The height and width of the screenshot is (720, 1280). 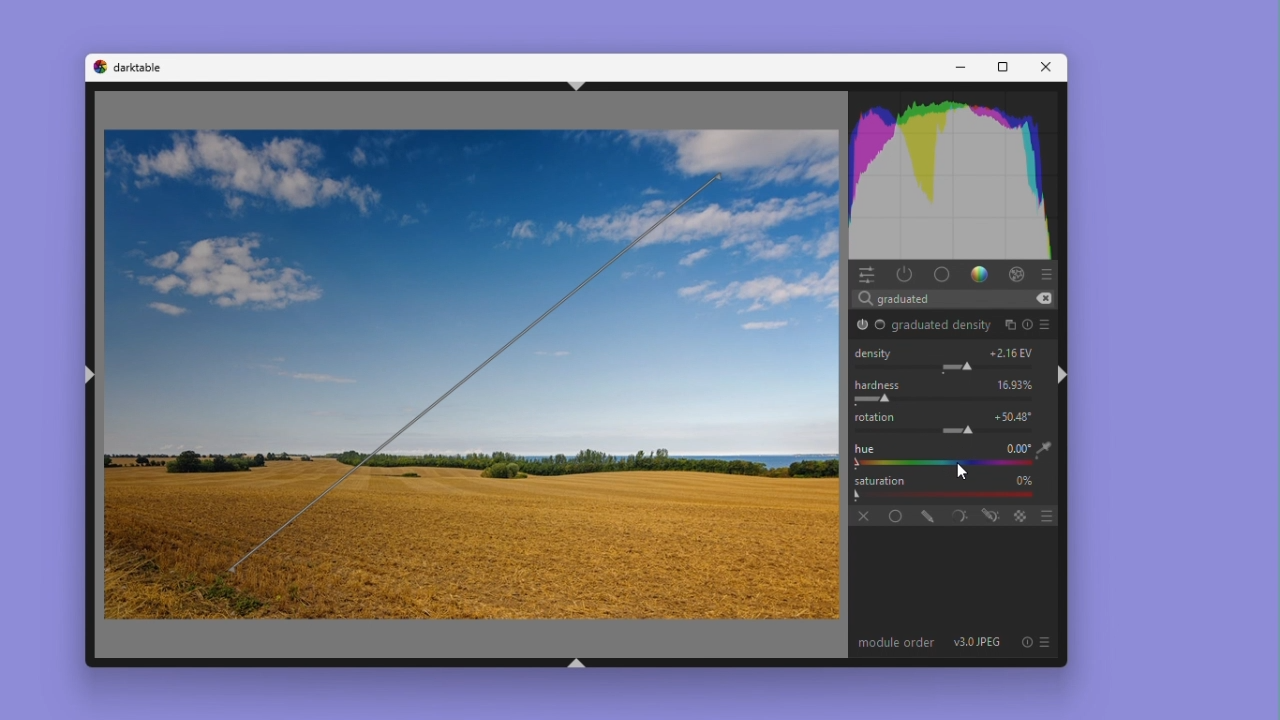 What do you see at coordinates (890, 514) in the screenshot?
I see `Uniformly` at bounding box center [890, 514].